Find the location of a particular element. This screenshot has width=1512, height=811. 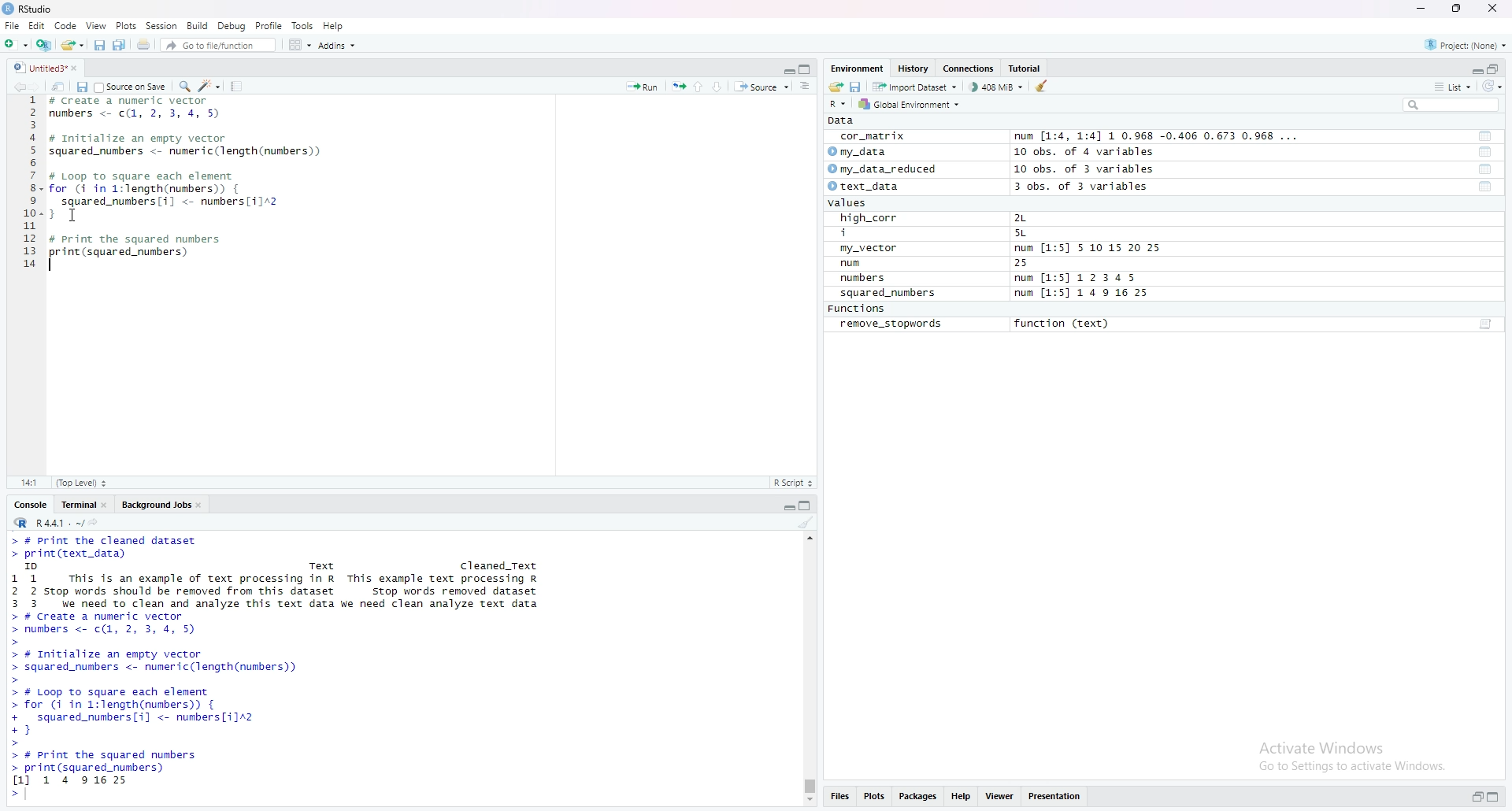

# Create a numeric vectornumbers <- c(1, 2, 3, 4, 5)# Initialize an empty vectorsquared_numbers <- numeric(length(numbers))# Loop to square each elementfor (i in 1:length(nunbers)) {squared_numbers [1] <- numbers[i]12TI# print the squared numbers print(squared_numbers) is located at coordinates (189, 187).